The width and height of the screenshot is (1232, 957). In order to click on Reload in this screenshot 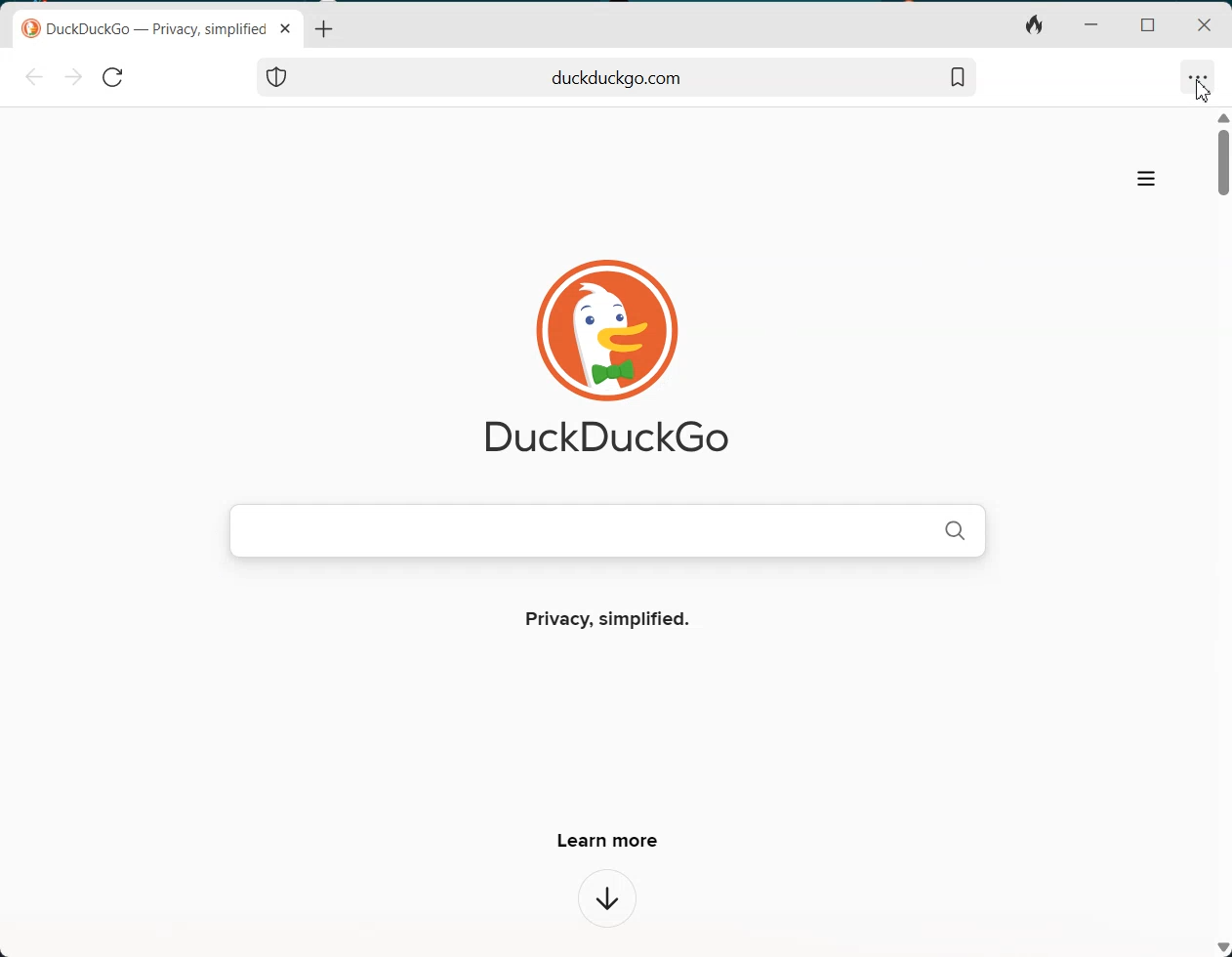, I will do `click(111, 78)`.